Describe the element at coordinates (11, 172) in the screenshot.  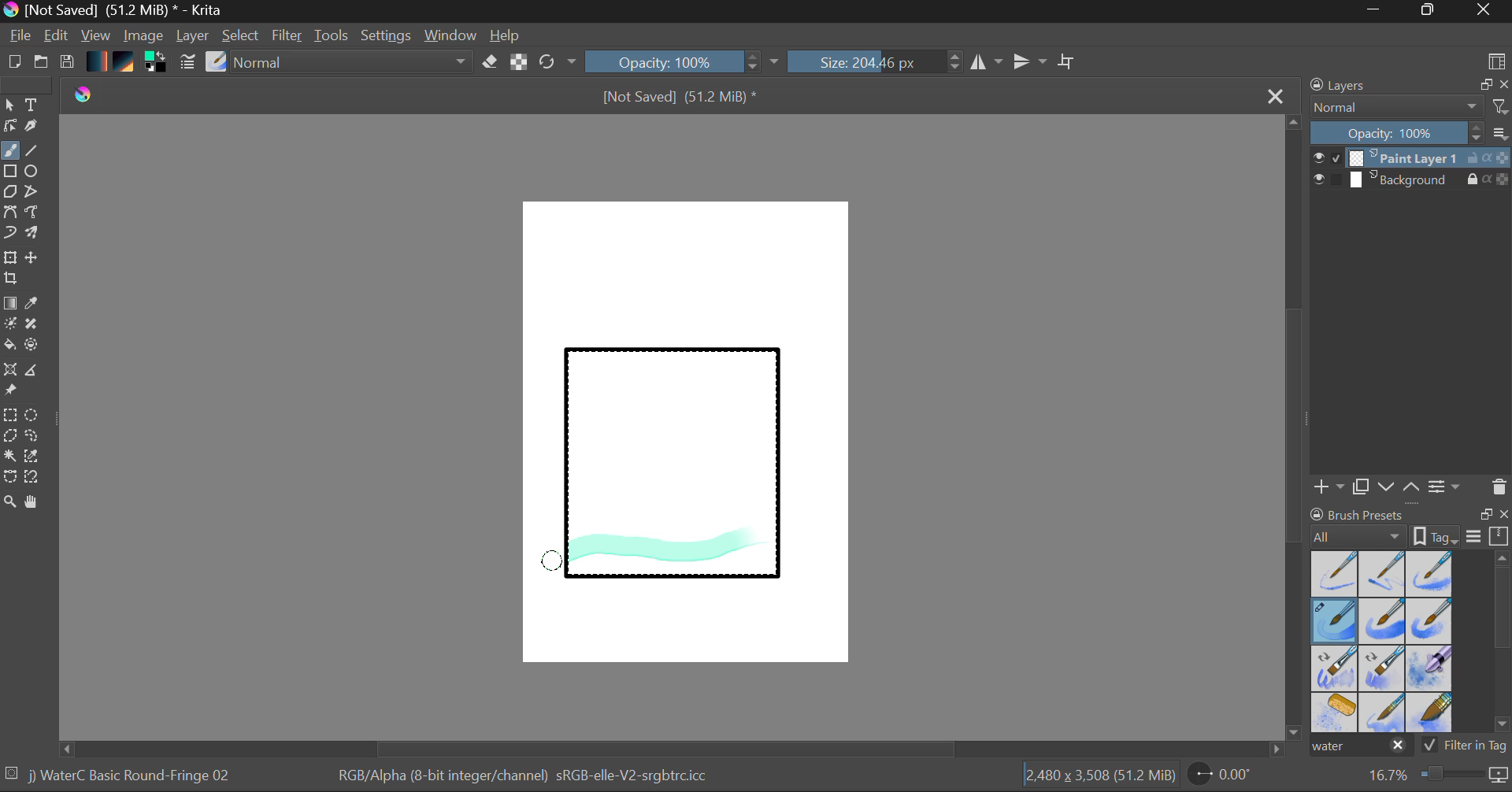
I see `Rectangle` at that location.